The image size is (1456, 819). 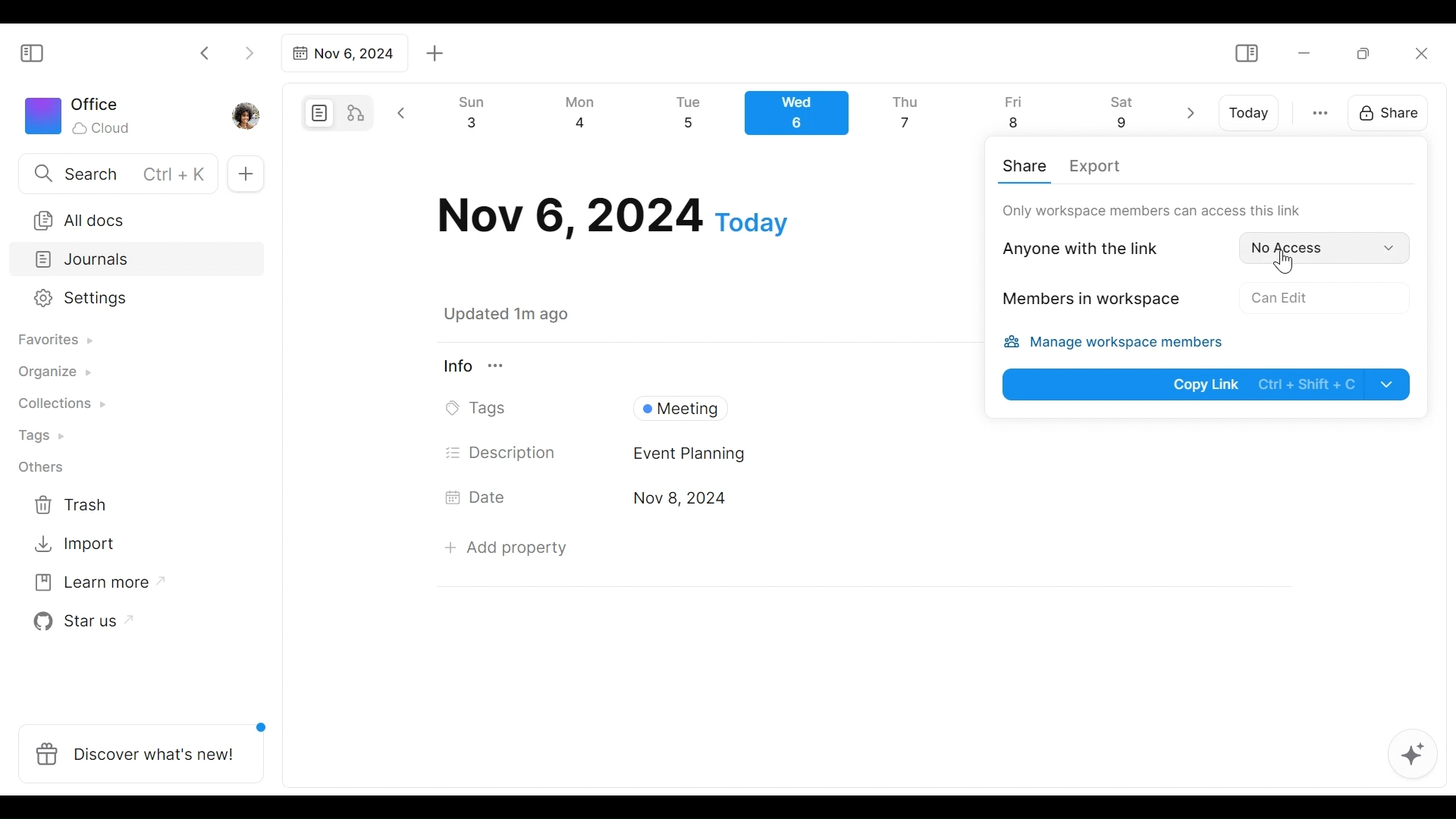 I want to click on Star us, so click(x=79, y=622).